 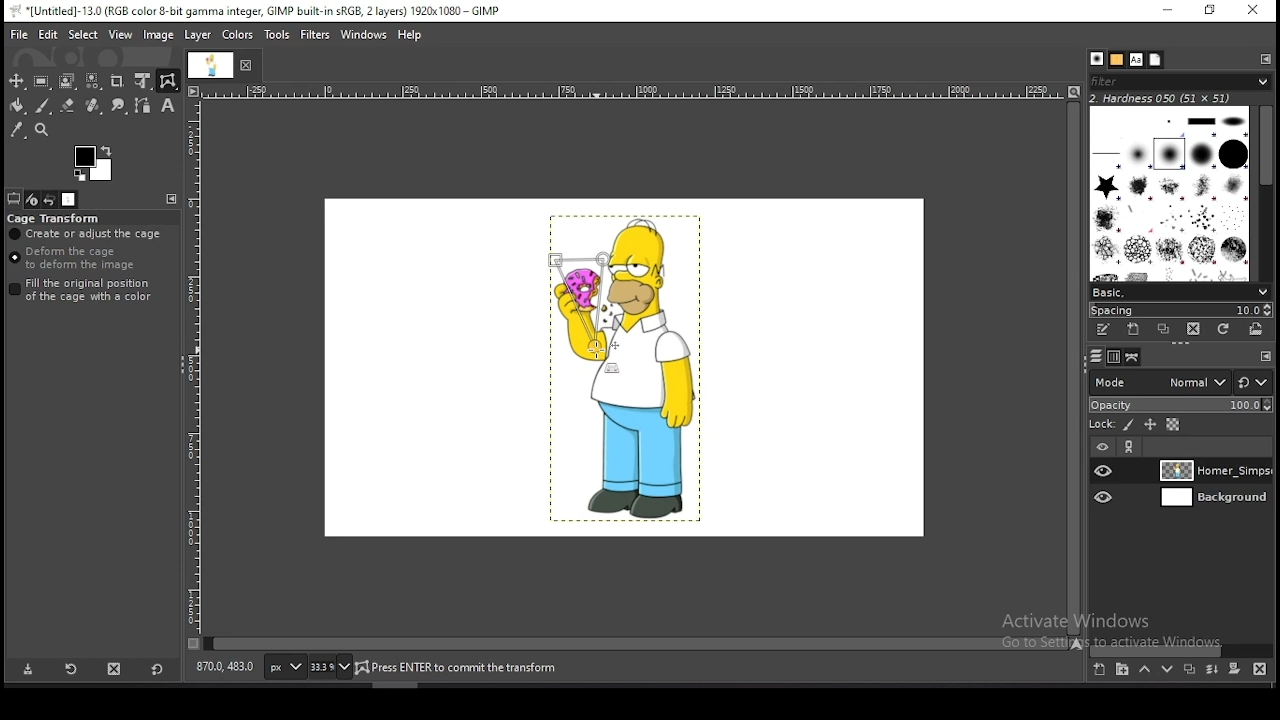 What do you see at coordinates (1232, 669) in the screenshot?
I see `add a mask` at bounding box center [1232, 669].